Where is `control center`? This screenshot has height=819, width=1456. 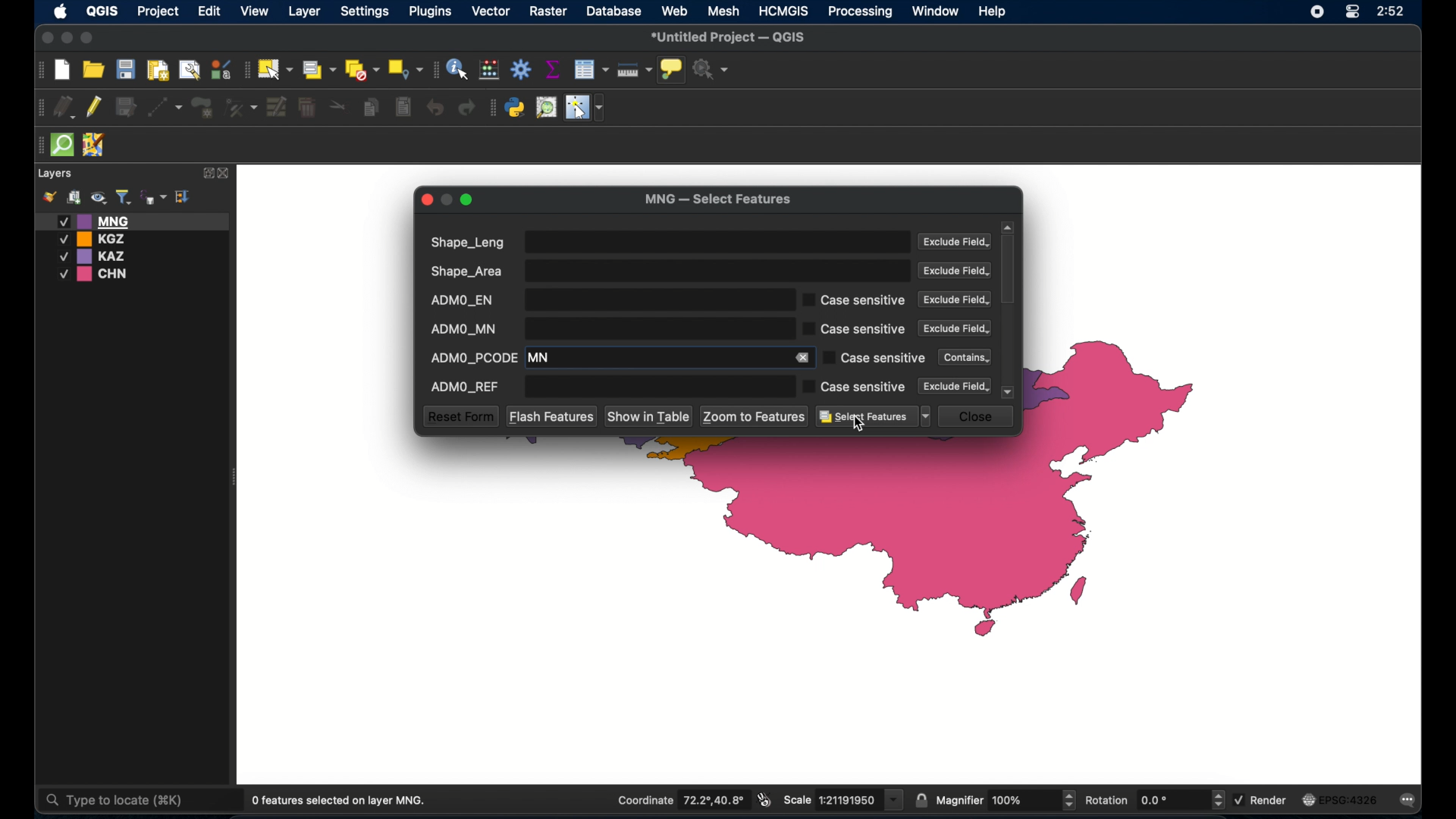 control center is located at coordinates (1351, 13).